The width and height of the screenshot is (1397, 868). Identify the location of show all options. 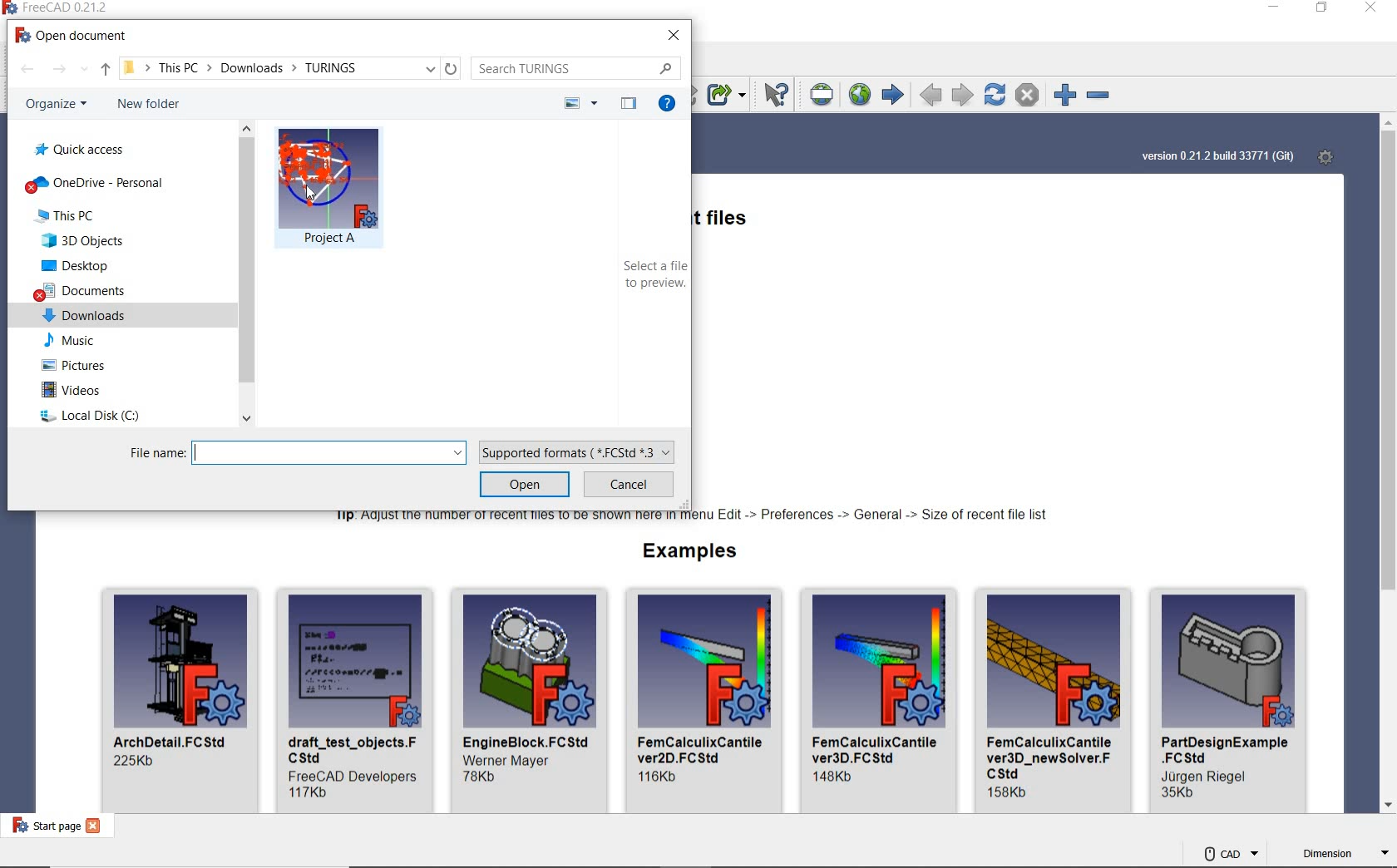
(86, 71).